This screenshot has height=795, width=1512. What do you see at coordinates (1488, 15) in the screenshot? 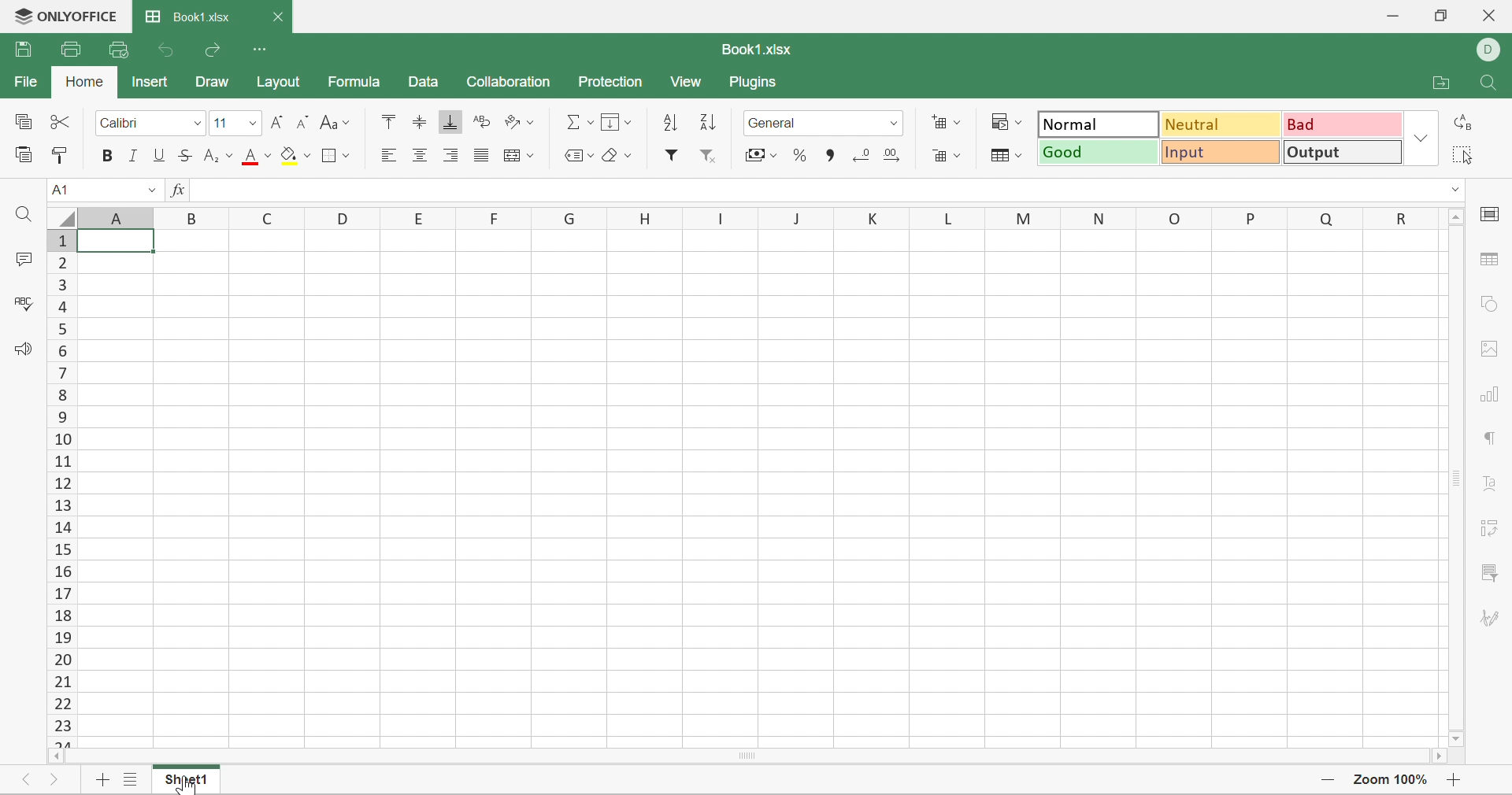
I see `Close` at bounding box center [1488, 15].